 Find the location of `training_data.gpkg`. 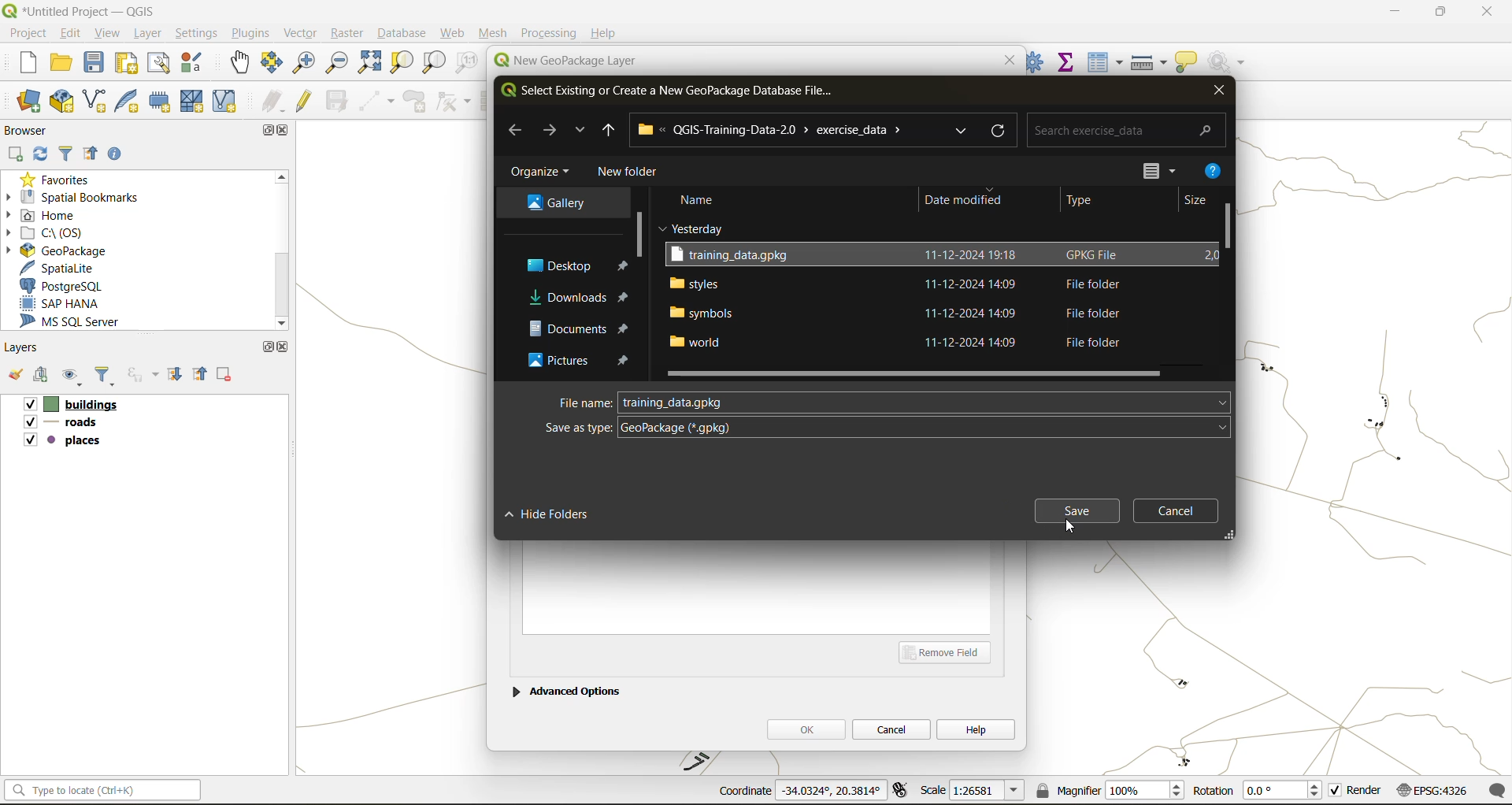

training_data.gpkg is located at coordinates (736, 255).